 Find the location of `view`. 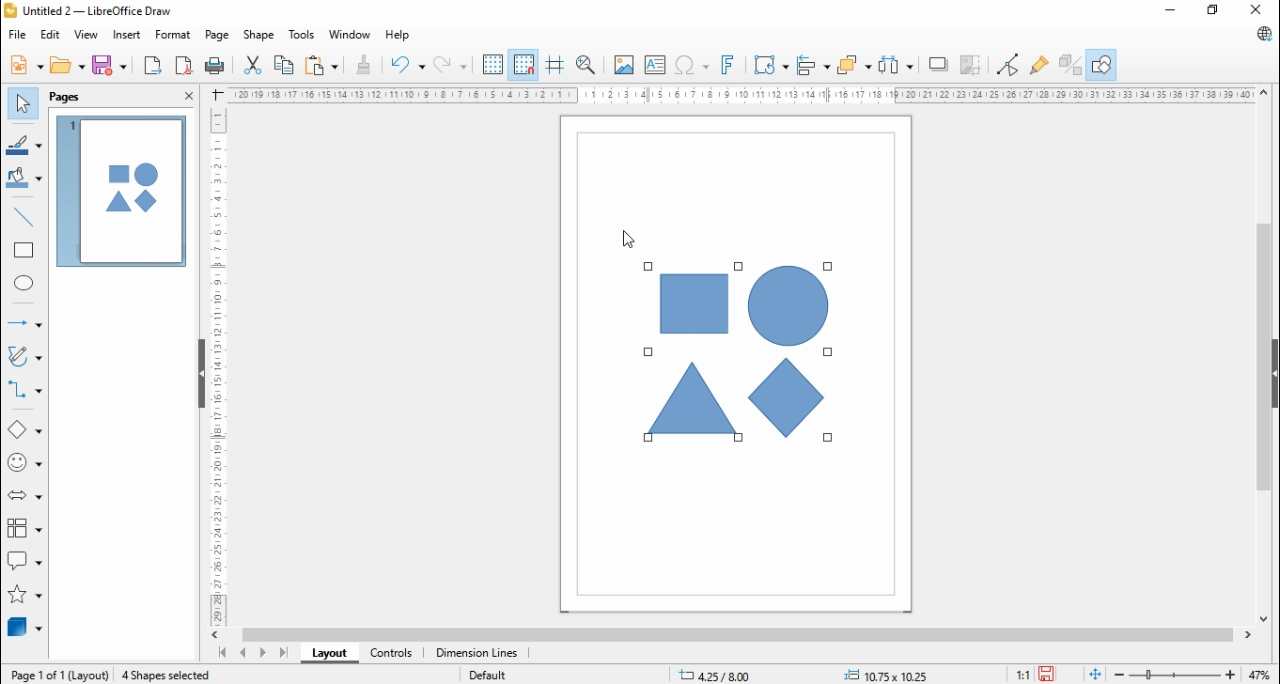

view is located at coordinates (87, 35).